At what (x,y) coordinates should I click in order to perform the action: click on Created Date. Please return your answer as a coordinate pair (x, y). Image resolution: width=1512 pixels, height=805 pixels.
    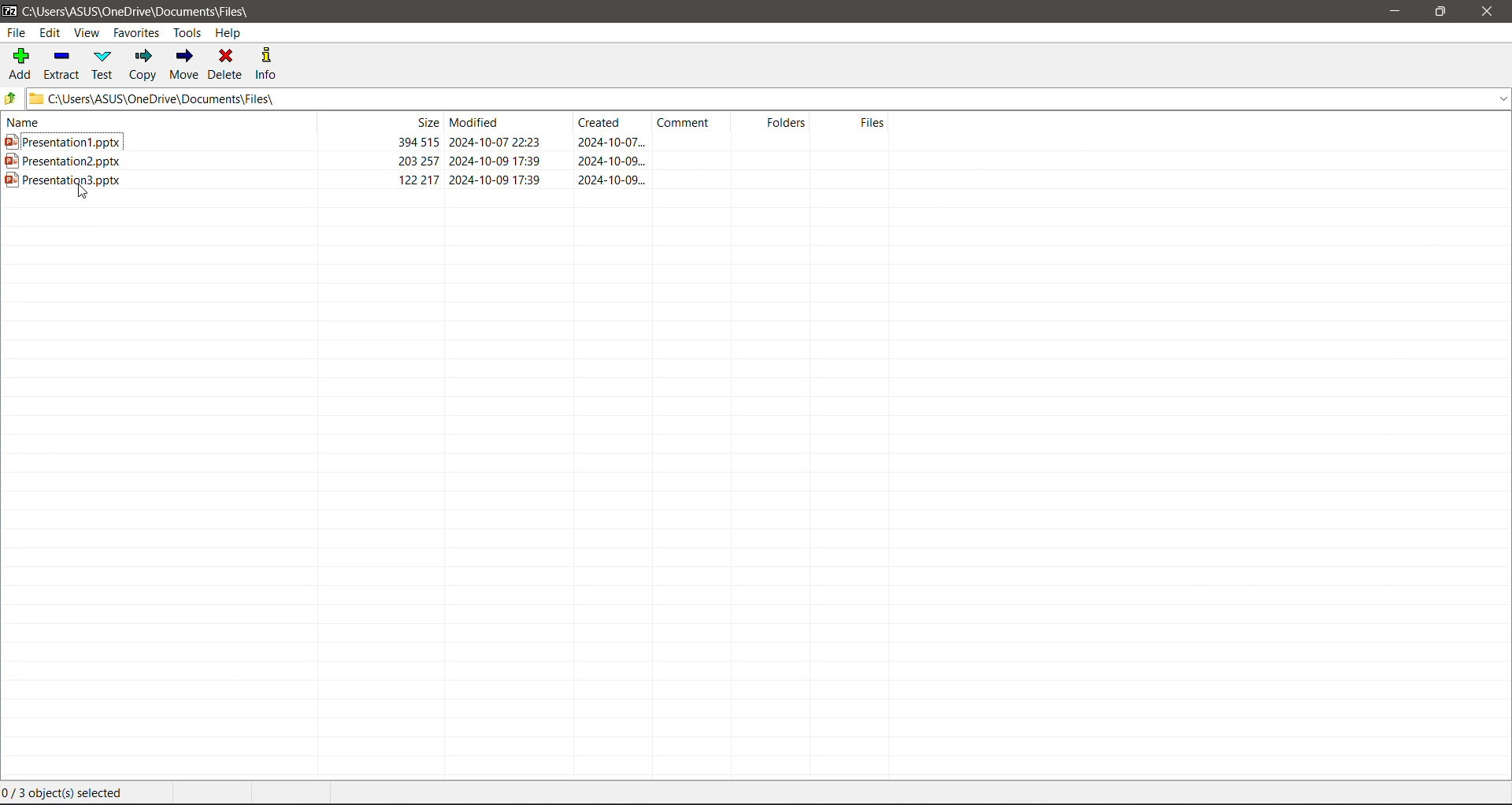
    Looking at the image, I should click on (613, 124).